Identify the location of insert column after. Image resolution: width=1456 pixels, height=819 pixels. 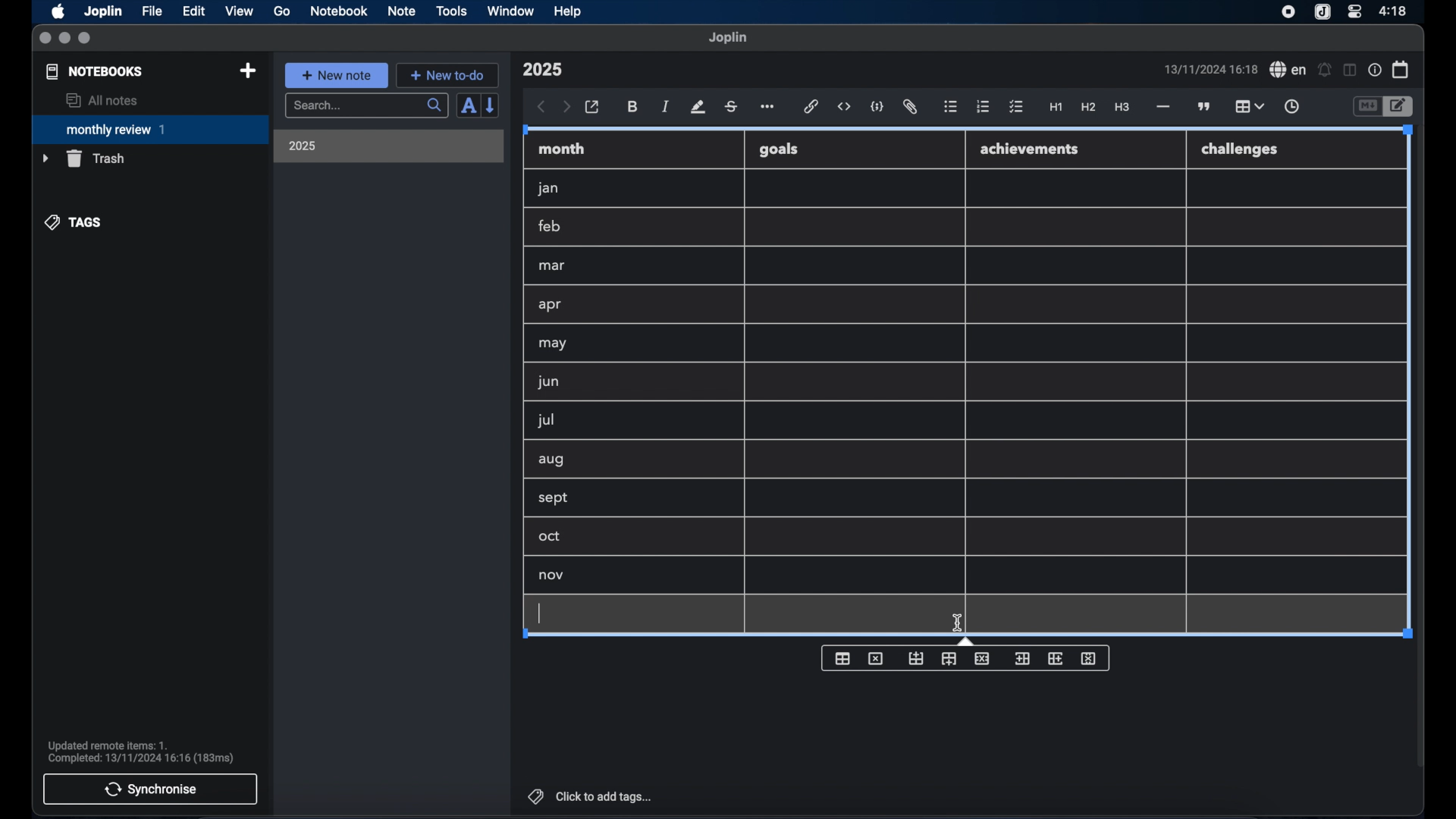
(950, 659).